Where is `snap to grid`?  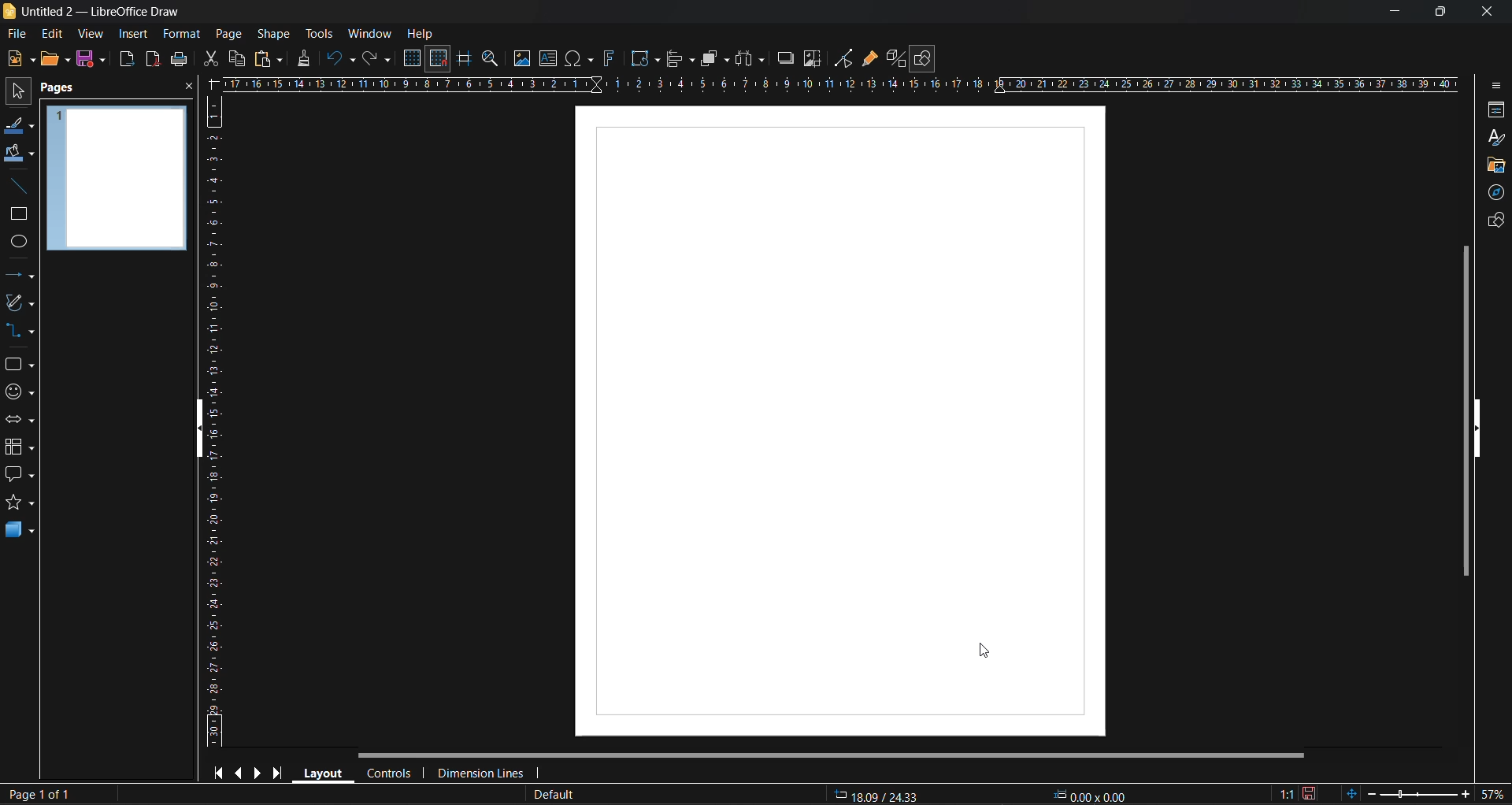
snap to grid is located at coordinates (438, 58).